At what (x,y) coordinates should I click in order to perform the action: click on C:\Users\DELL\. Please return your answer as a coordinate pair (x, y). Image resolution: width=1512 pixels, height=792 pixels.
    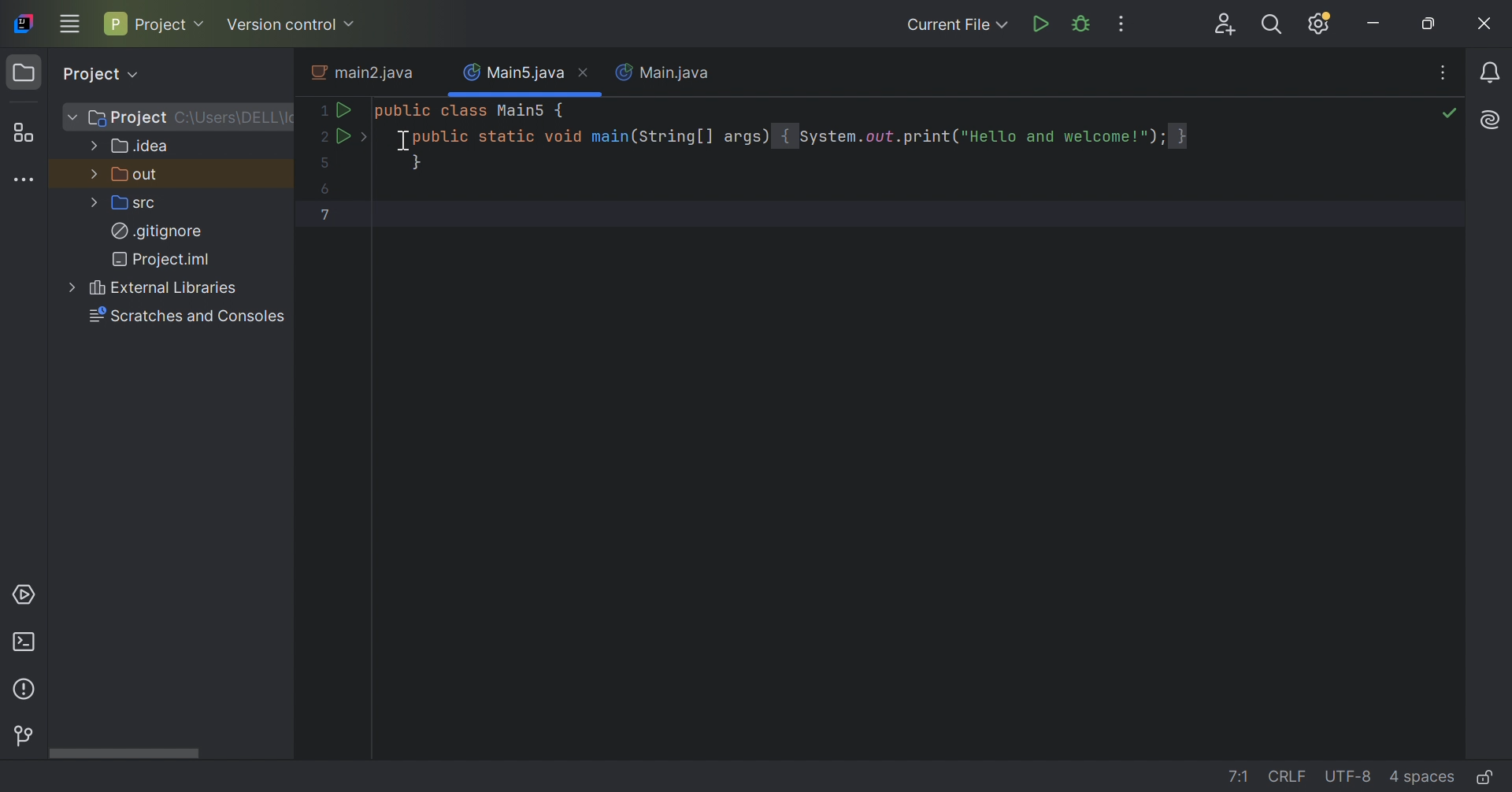
    Looking at the image, I should click on (234, 117).